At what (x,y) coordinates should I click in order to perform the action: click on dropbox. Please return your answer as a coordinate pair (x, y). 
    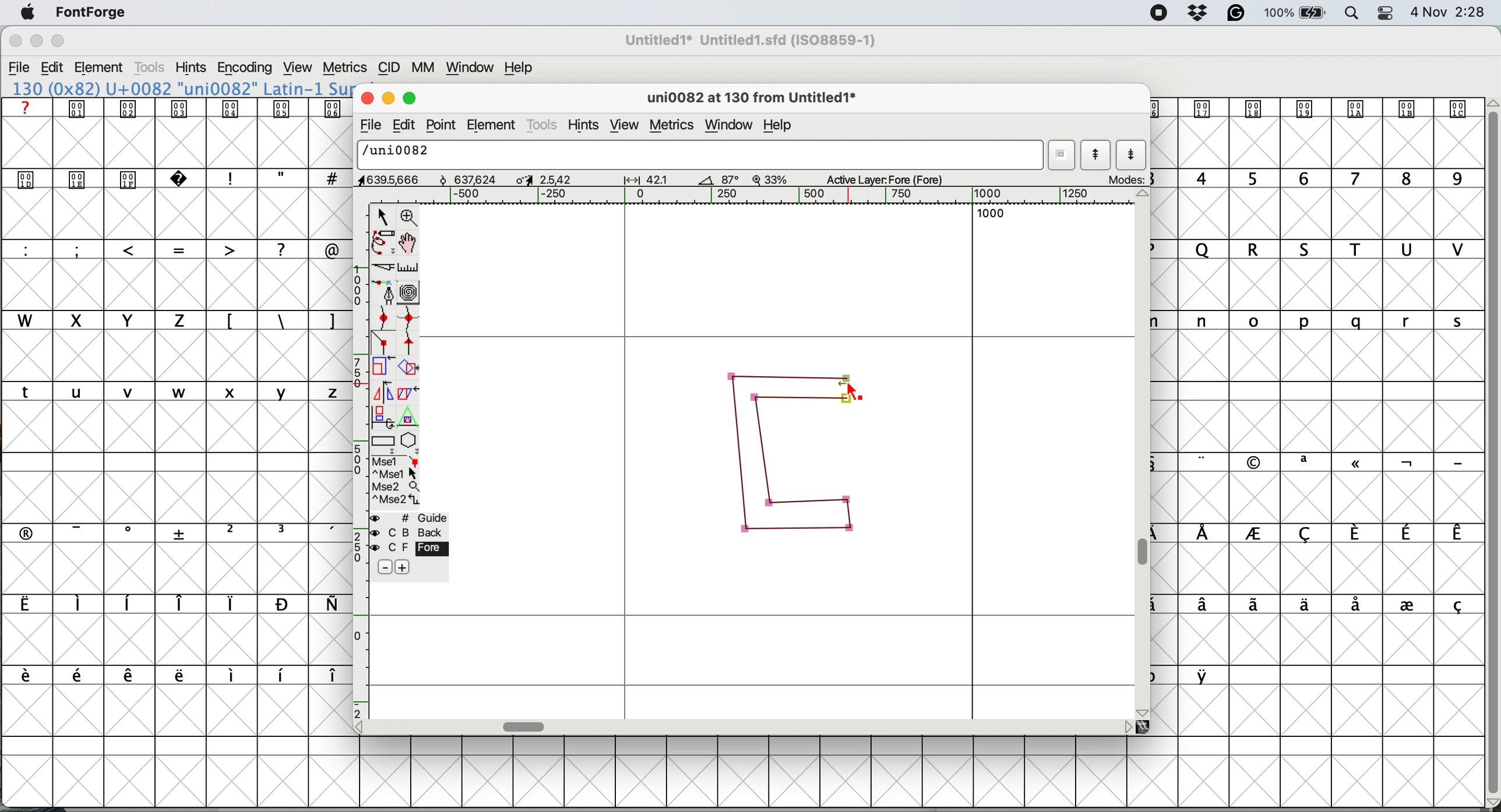
    Looking at the image, I should click on (1200, 12).